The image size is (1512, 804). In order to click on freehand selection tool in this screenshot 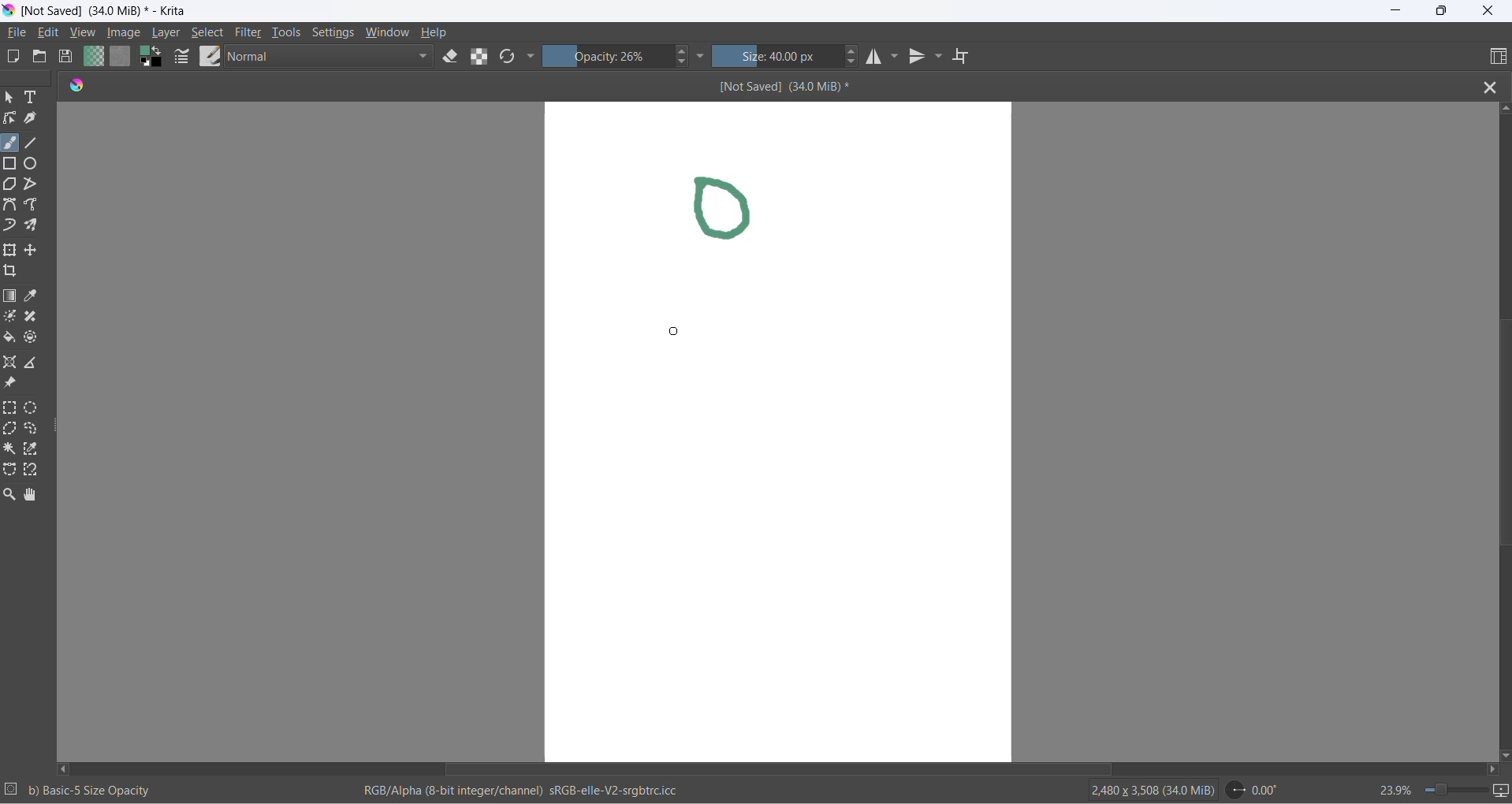, I will do `click(35, 429)`.